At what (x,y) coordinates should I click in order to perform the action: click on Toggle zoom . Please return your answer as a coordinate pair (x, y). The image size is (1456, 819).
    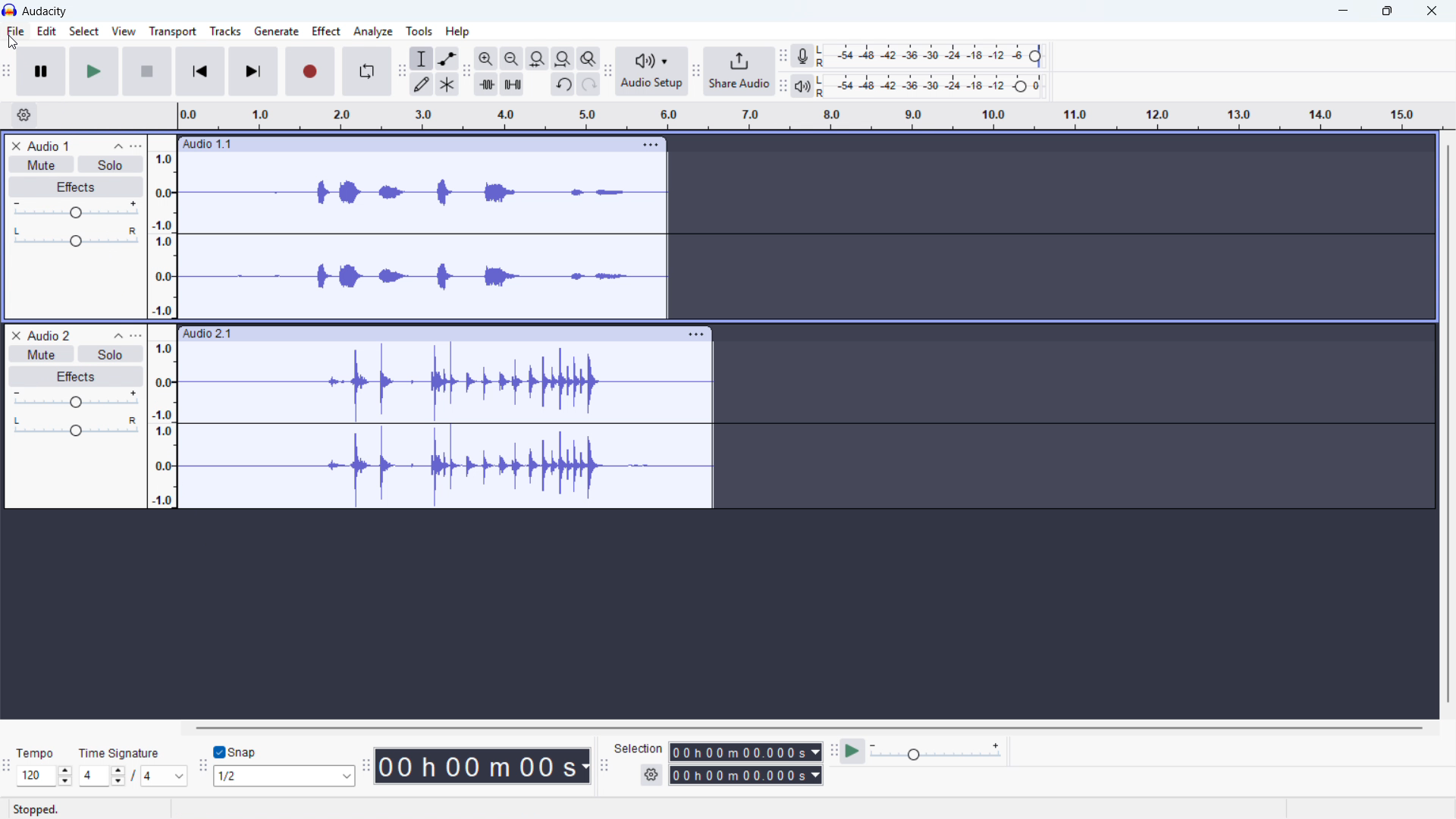
    Looking at the image, I should click on (588, 58).